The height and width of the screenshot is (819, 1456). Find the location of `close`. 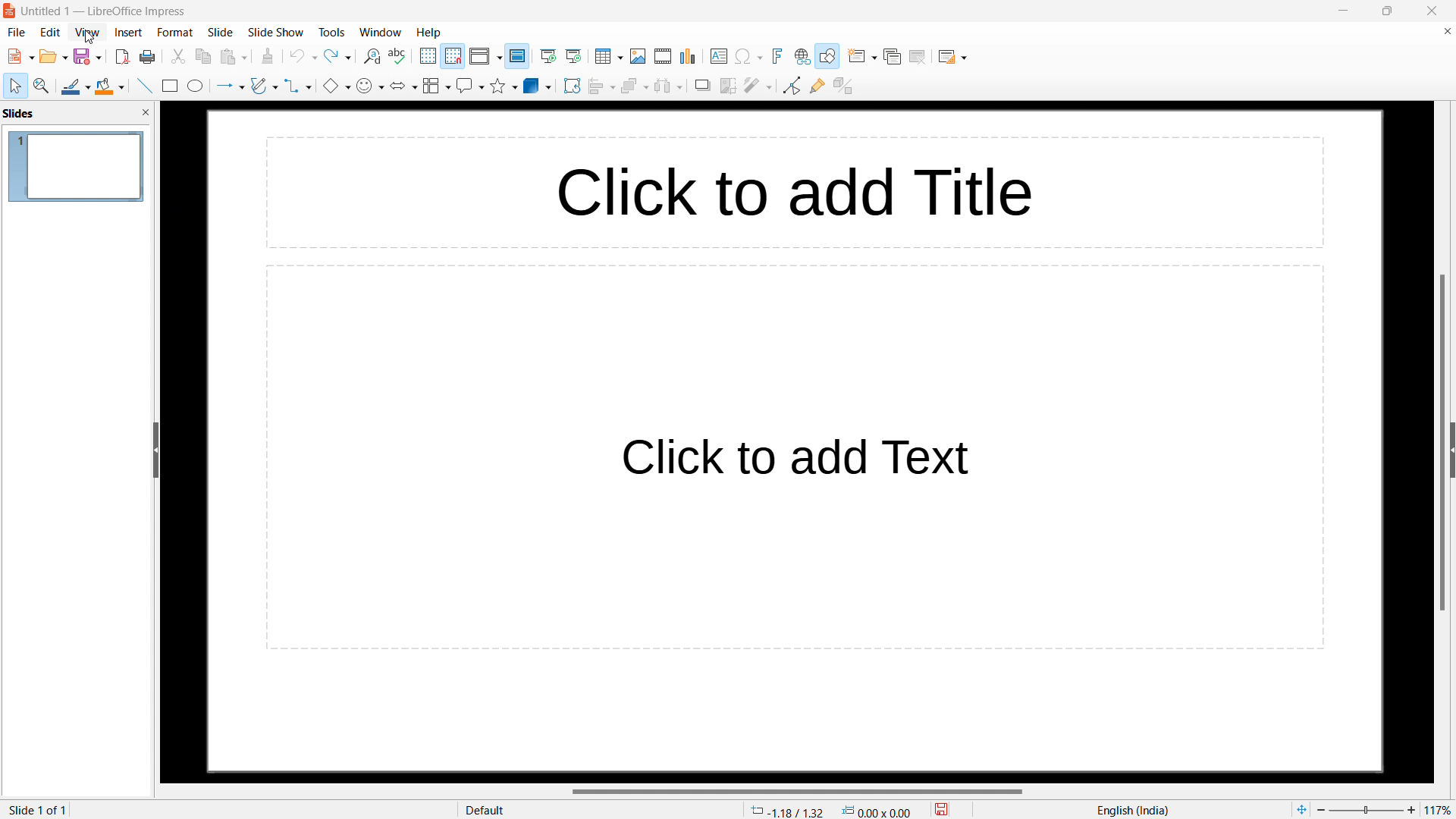

close is located at coordinates (1431, 11).